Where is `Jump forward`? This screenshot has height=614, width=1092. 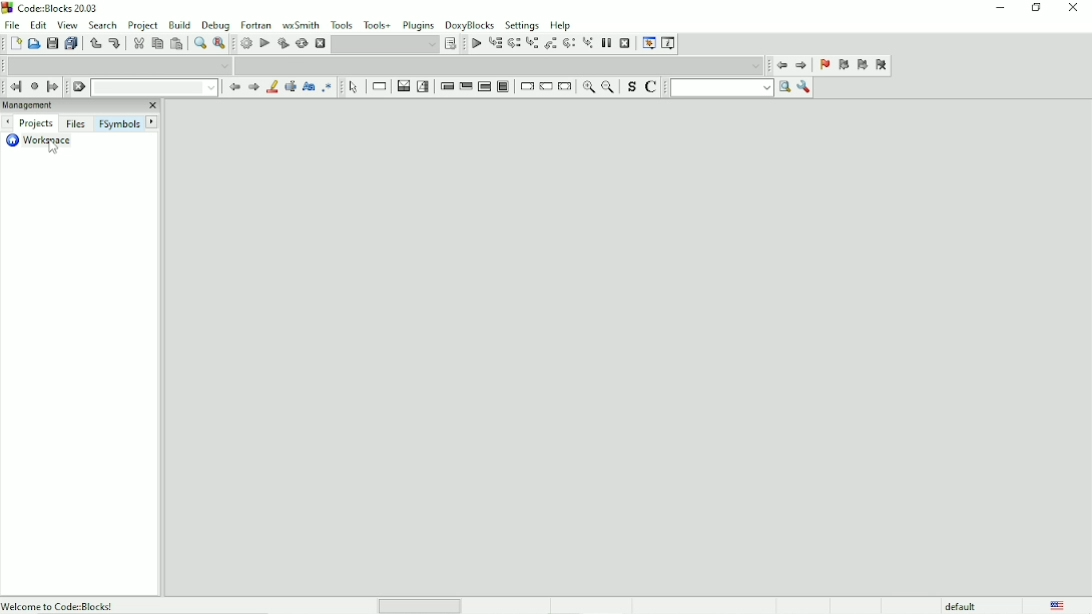
Jump forward is located at coordinates (802, 67).